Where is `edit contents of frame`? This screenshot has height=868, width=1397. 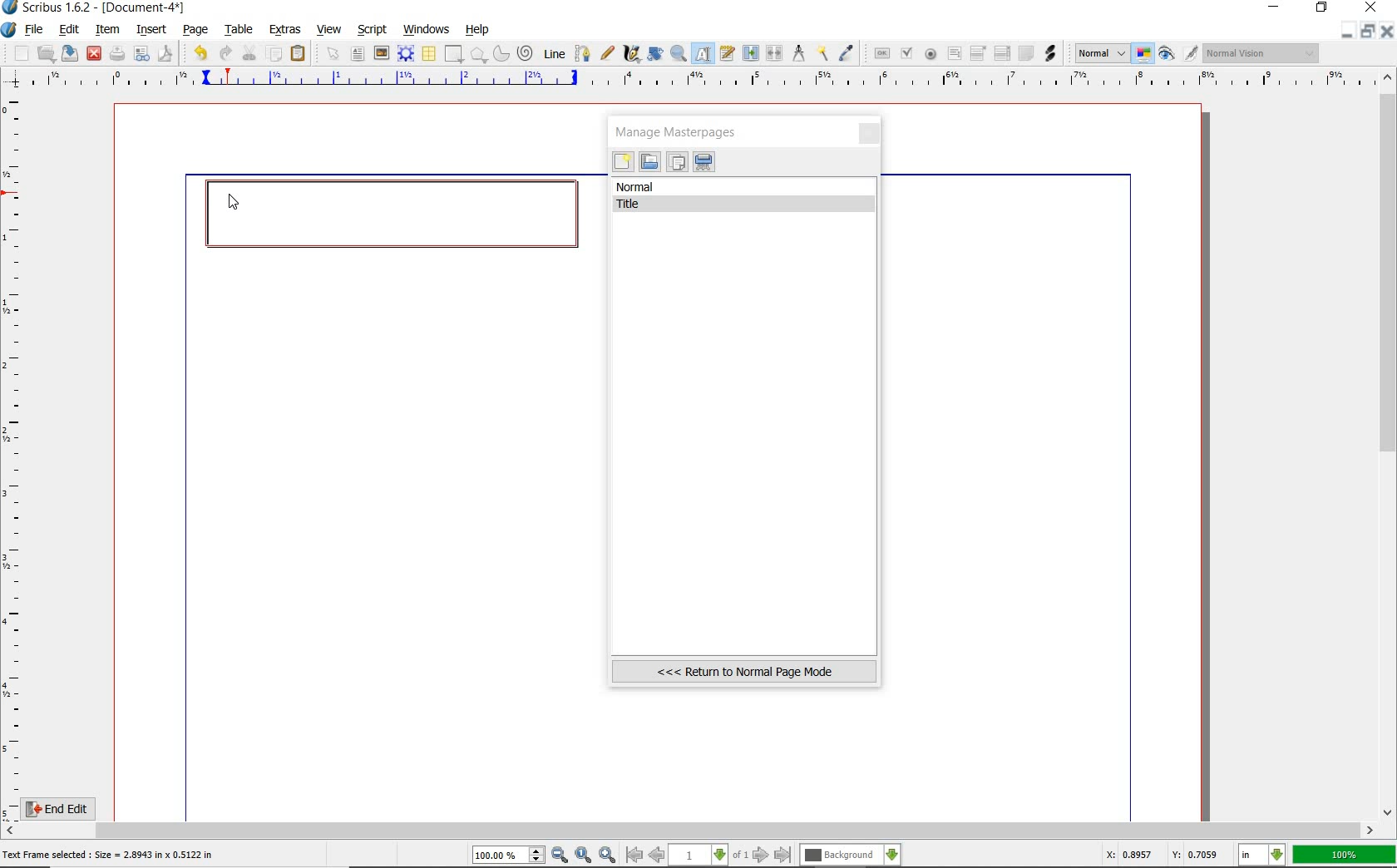 edit contents of frame is located at coordinates (704, 55).